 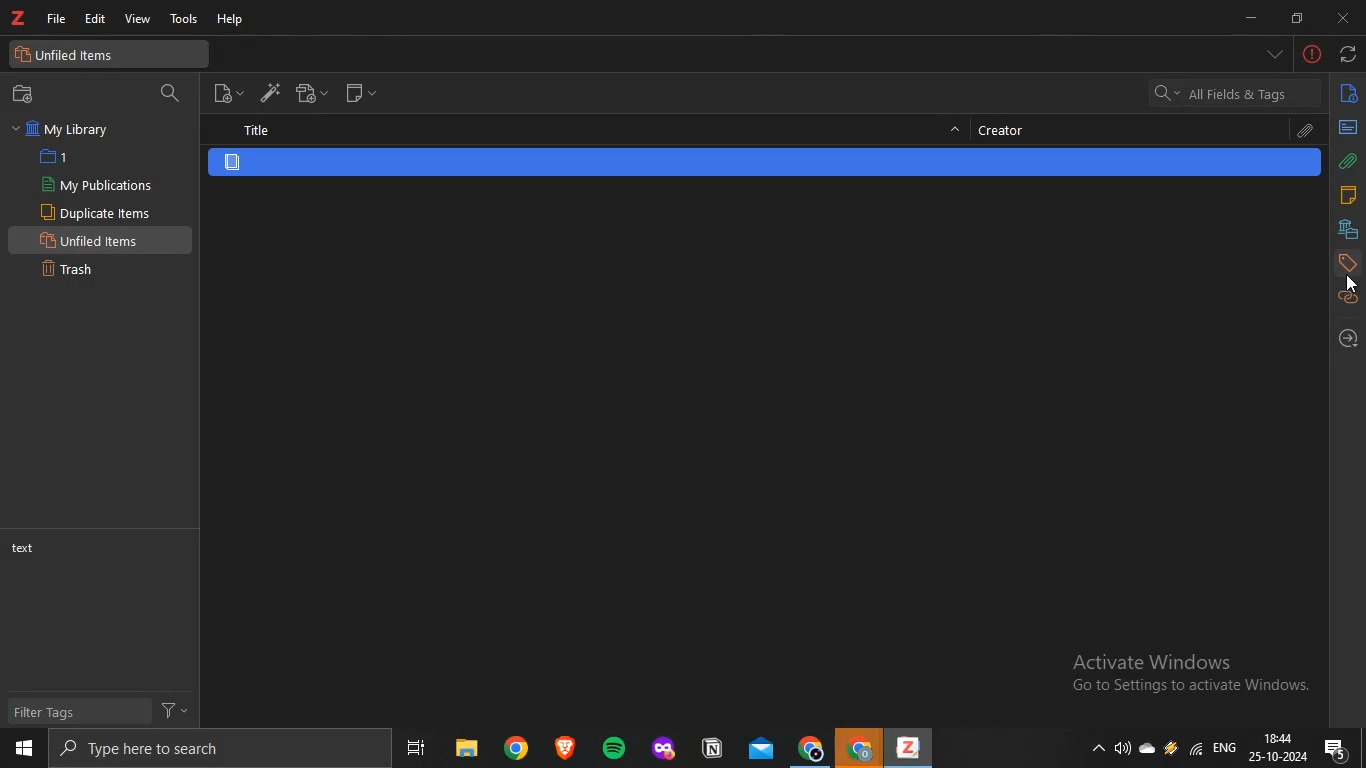 I want to click on date, so click(x=1276, y=758).